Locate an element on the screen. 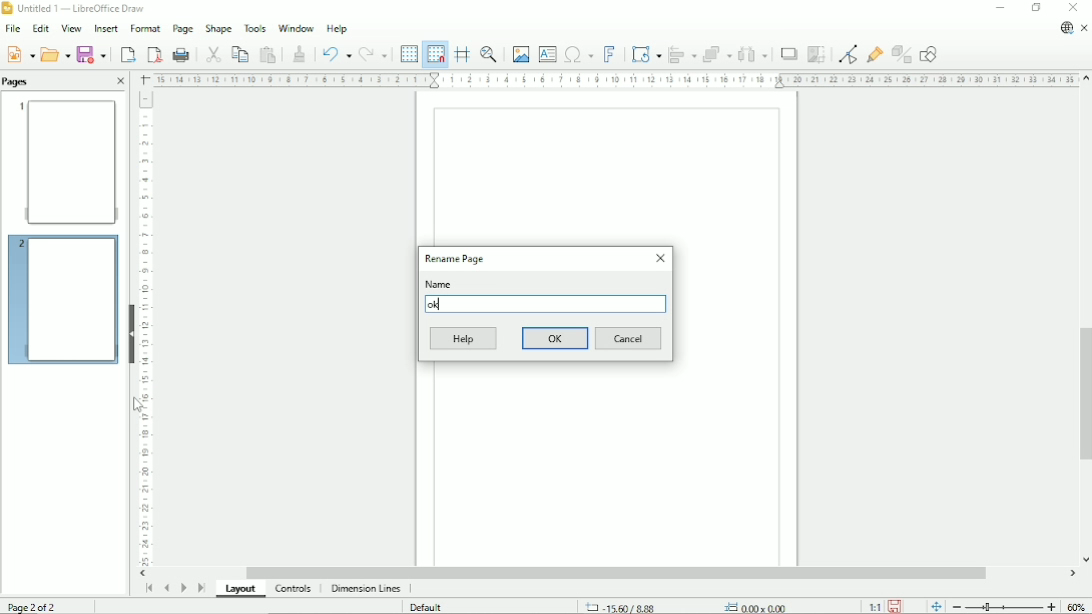 Image resolution: width=1092 pixels, height=614 pixels. Close is located at coordinates (659, 258).